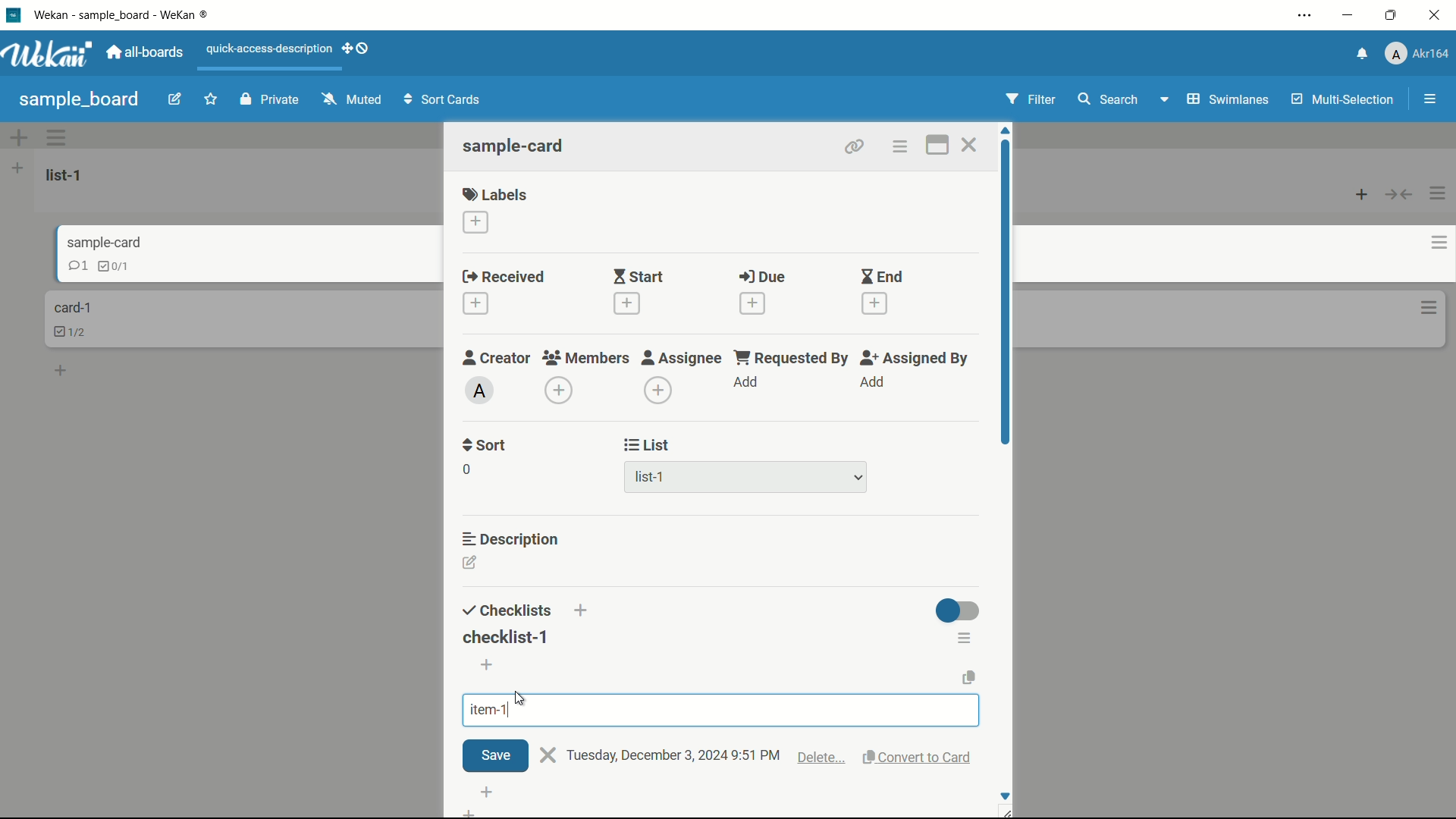 The image size is (1456, 819). Describe the element at coordinates (1430, 309) in the screenshot. I see `card actions` at that location.